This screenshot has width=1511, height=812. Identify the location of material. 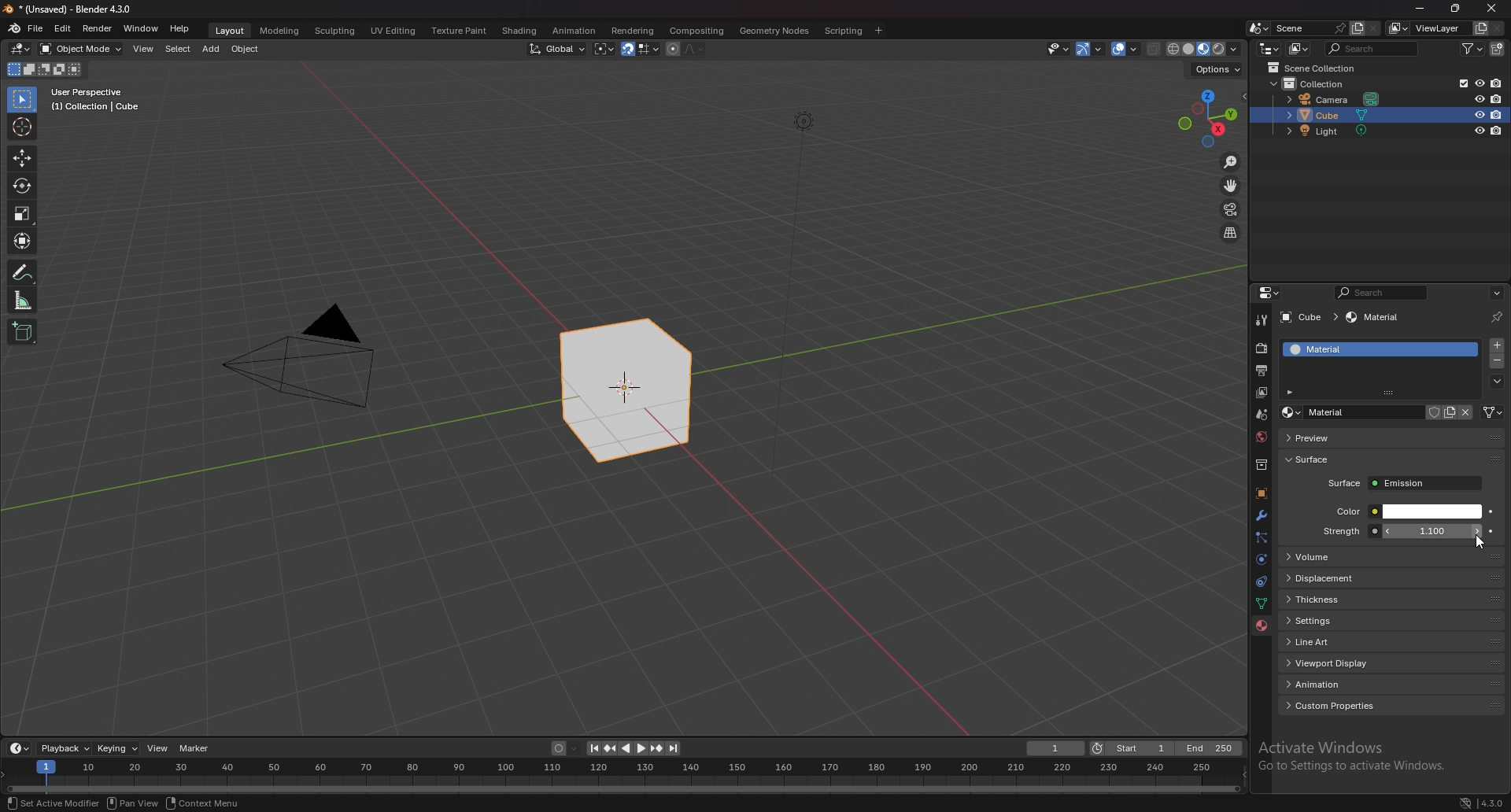
(1362, 349).